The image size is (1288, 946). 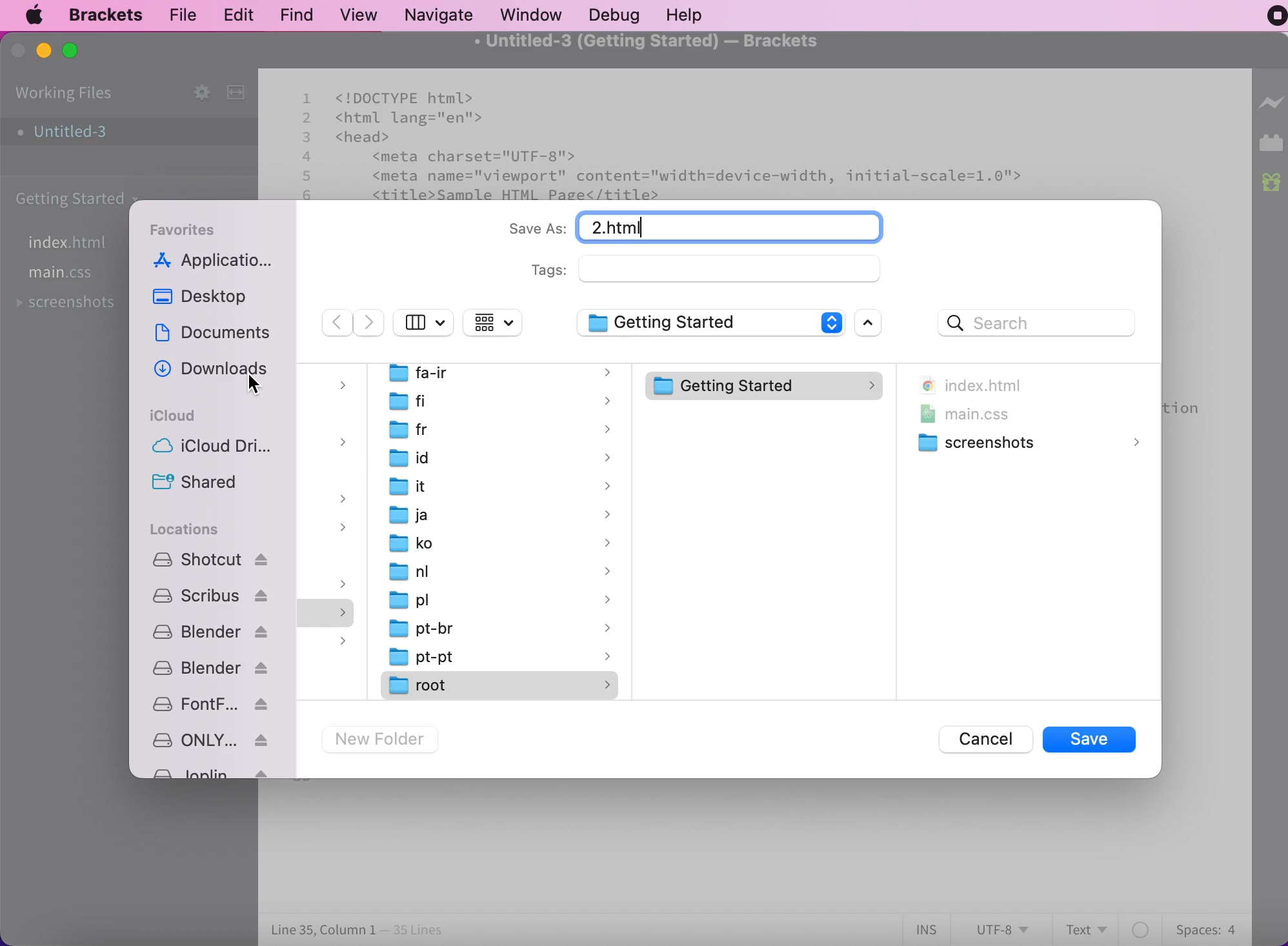 I want to click on pl, so click(x=501, y=599).